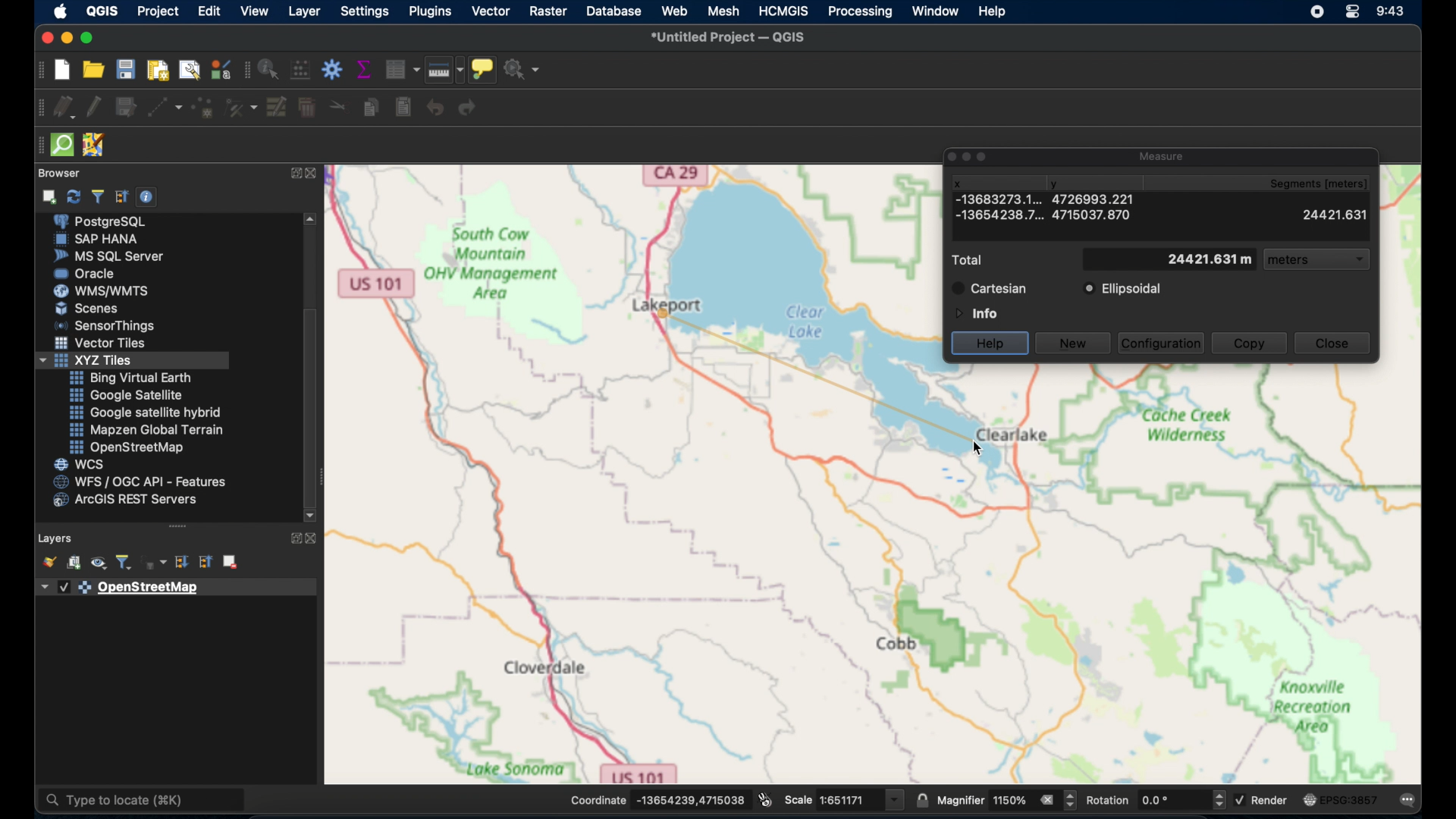 The height and width of the screenshot is (819, 1456). What do you see at coordinates (784, 11) in the screenshot?
I see `HCMGIS` at bounding box center [784, 11].